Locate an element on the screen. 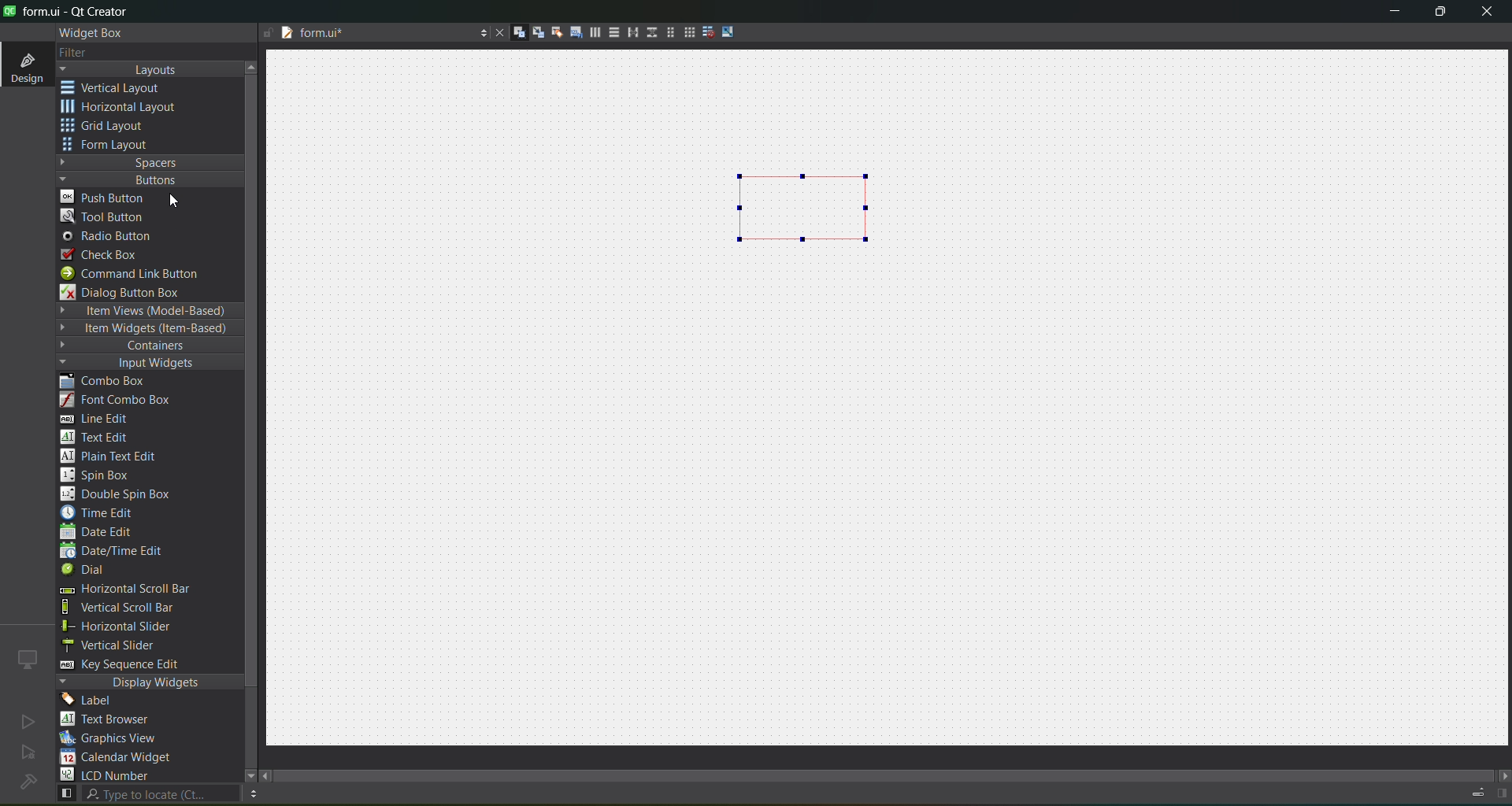 The height and width of the screenshot is (806, 1512). edit tab is located at coordinates (570, 35).